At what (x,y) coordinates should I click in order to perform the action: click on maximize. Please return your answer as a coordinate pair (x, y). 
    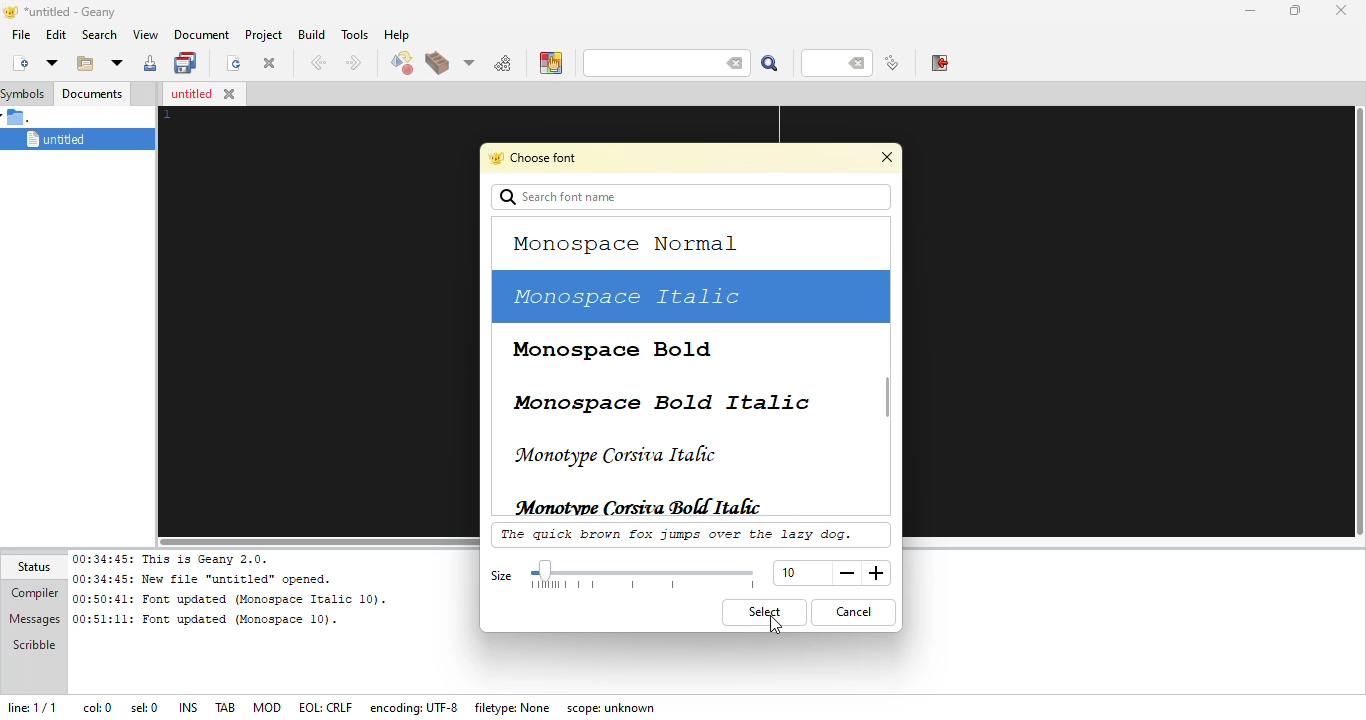
    Looking at the image, I should click on (1293, 9).